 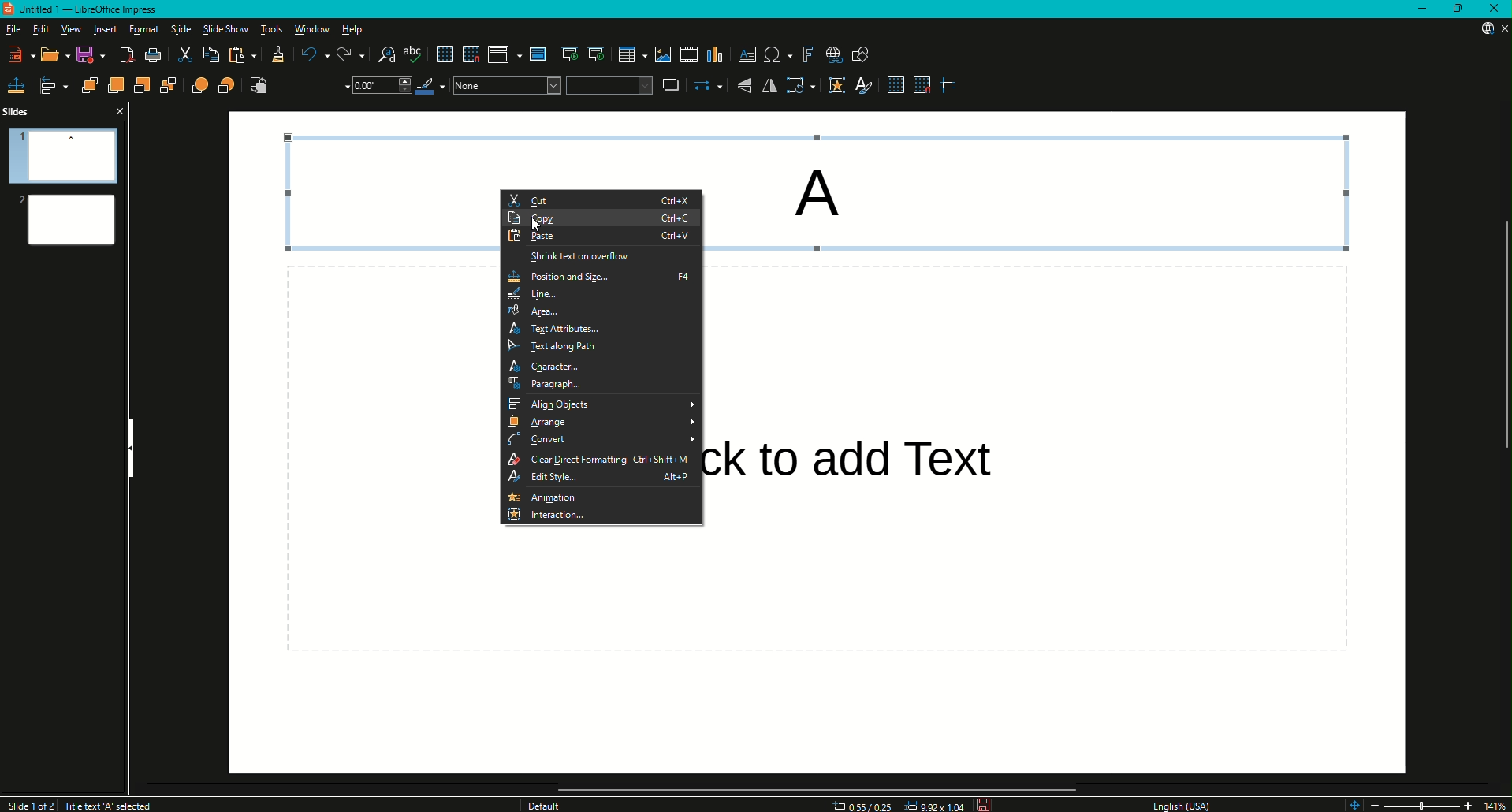 What do you see at coordinates (143, 29) in the screenshot?
I see `Format` at bounding box center [143, 29].